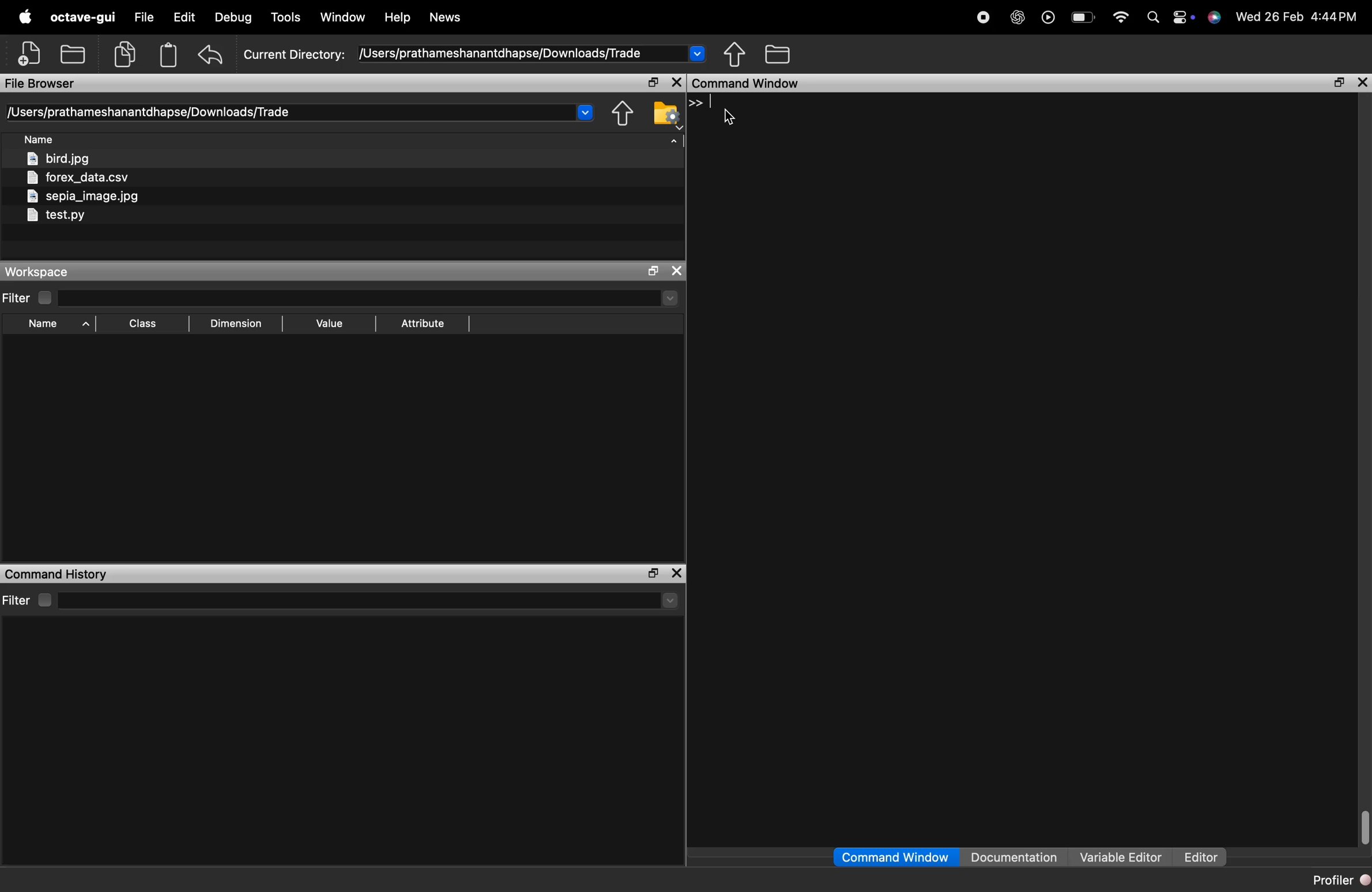 The width and height of the screenshot is (1372, 892). What do you see at coordinates (40, 84) in the screenshot?
I see `File Browser
Bi ini. 6` at bounding box center [40, 84].